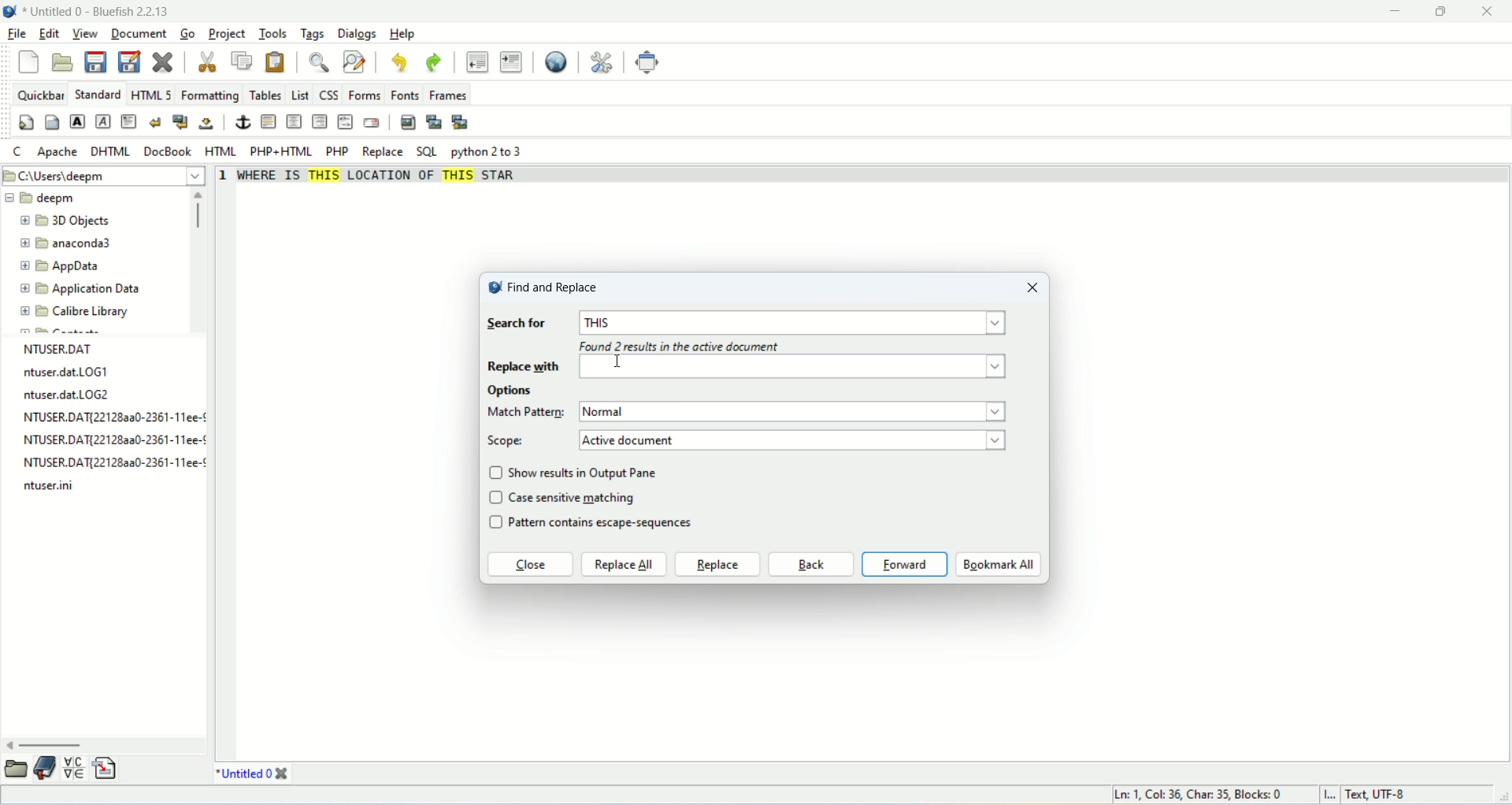  What do you see at coordinates (53, 123) in the screenshot?
I see `body` at bounding box center [53, 123].